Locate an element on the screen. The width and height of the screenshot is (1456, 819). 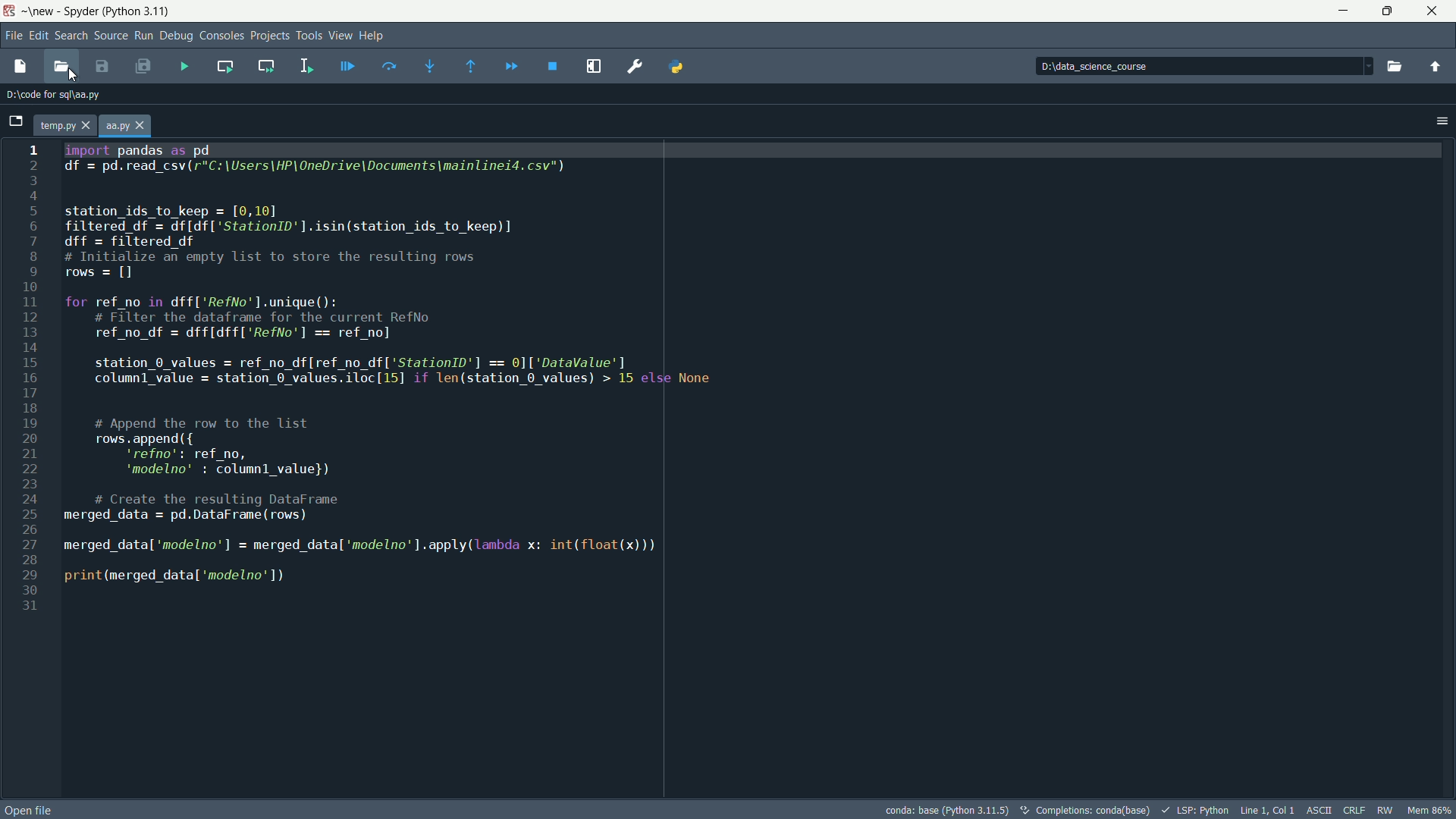
Browse a working directory is located at coordinates (1394, 66).